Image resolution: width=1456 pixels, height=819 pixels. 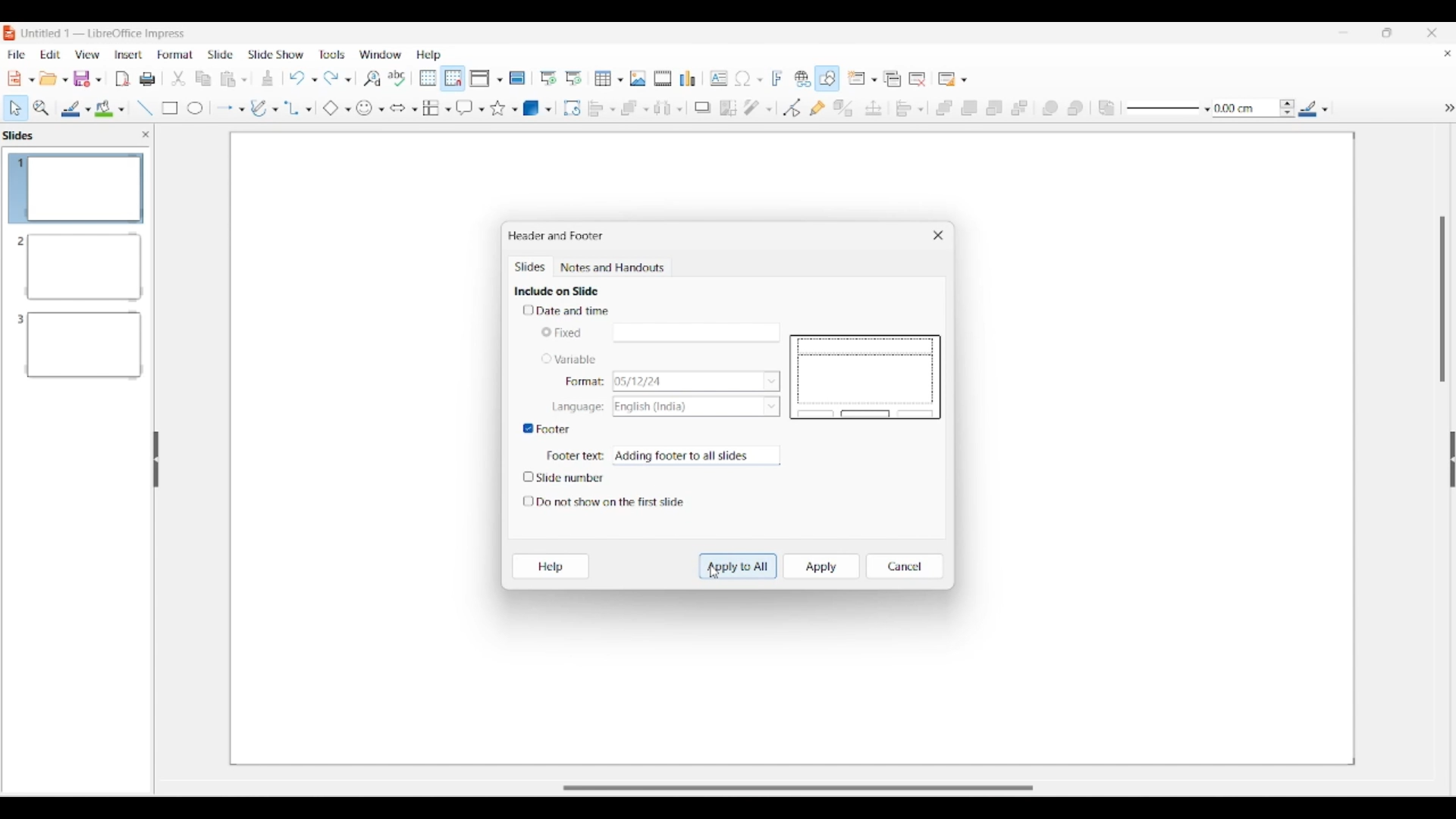 What do you see at coordinates (372, 78) in the screenshot?
I see `Find and replace` at bounding box center [372, 78].